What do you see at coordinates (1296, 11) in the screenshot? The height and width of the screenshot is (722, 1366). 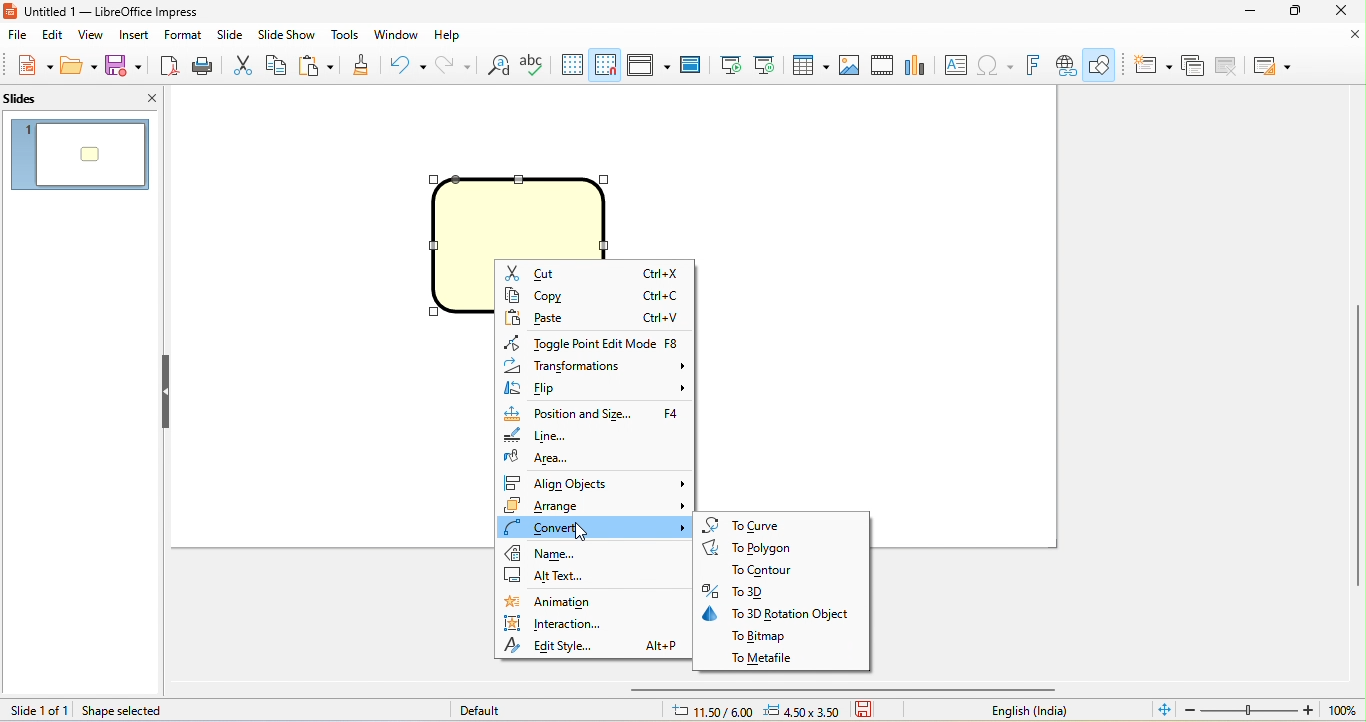 I see `maximize` at bounding box center [1296, 11].